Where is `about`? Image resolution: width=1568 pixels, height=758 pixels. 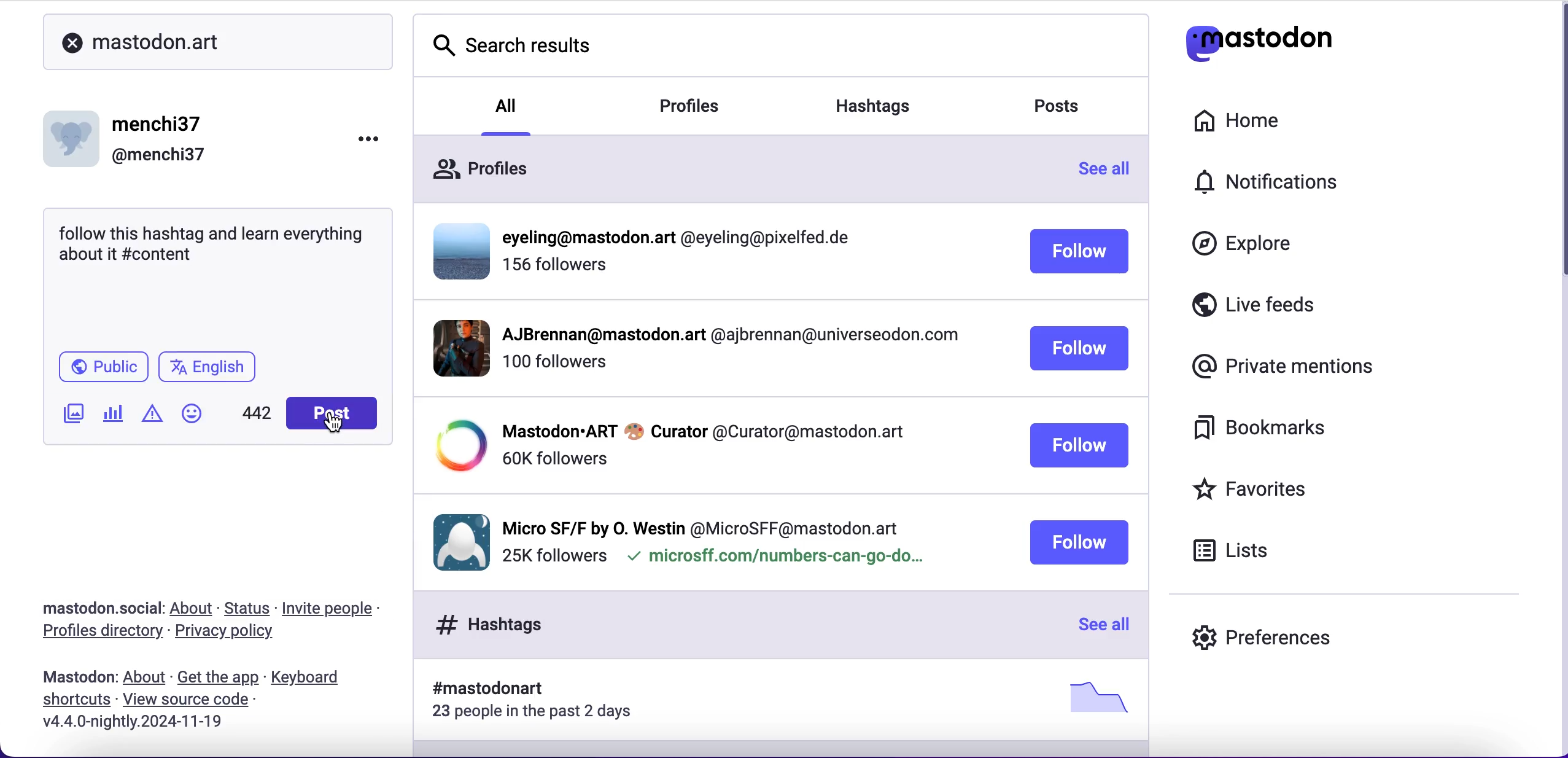 about is located at coordinates (194, 609).